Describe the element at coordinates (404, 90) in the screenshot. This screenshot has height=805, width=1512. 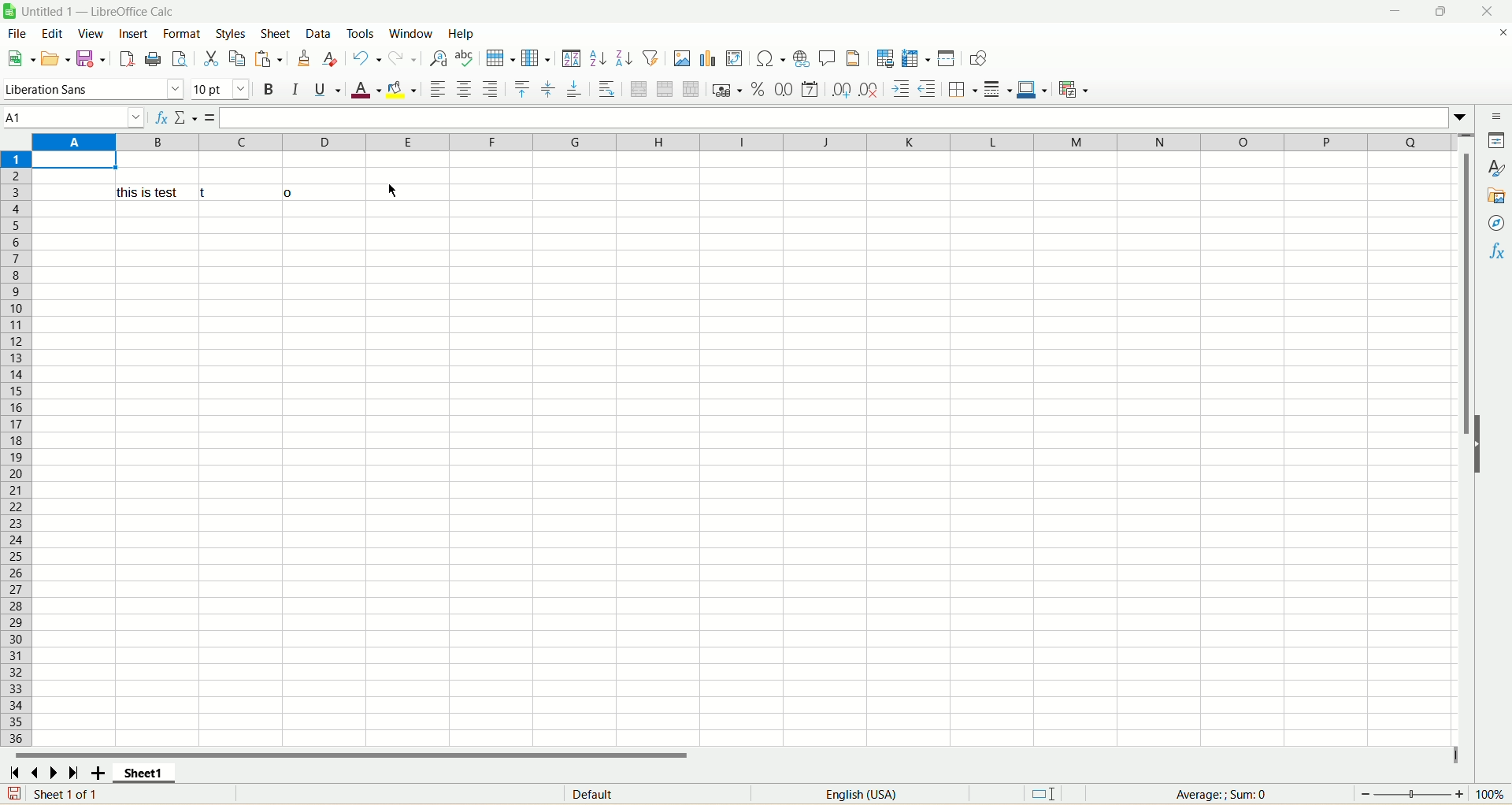
I see `background color` at that location.